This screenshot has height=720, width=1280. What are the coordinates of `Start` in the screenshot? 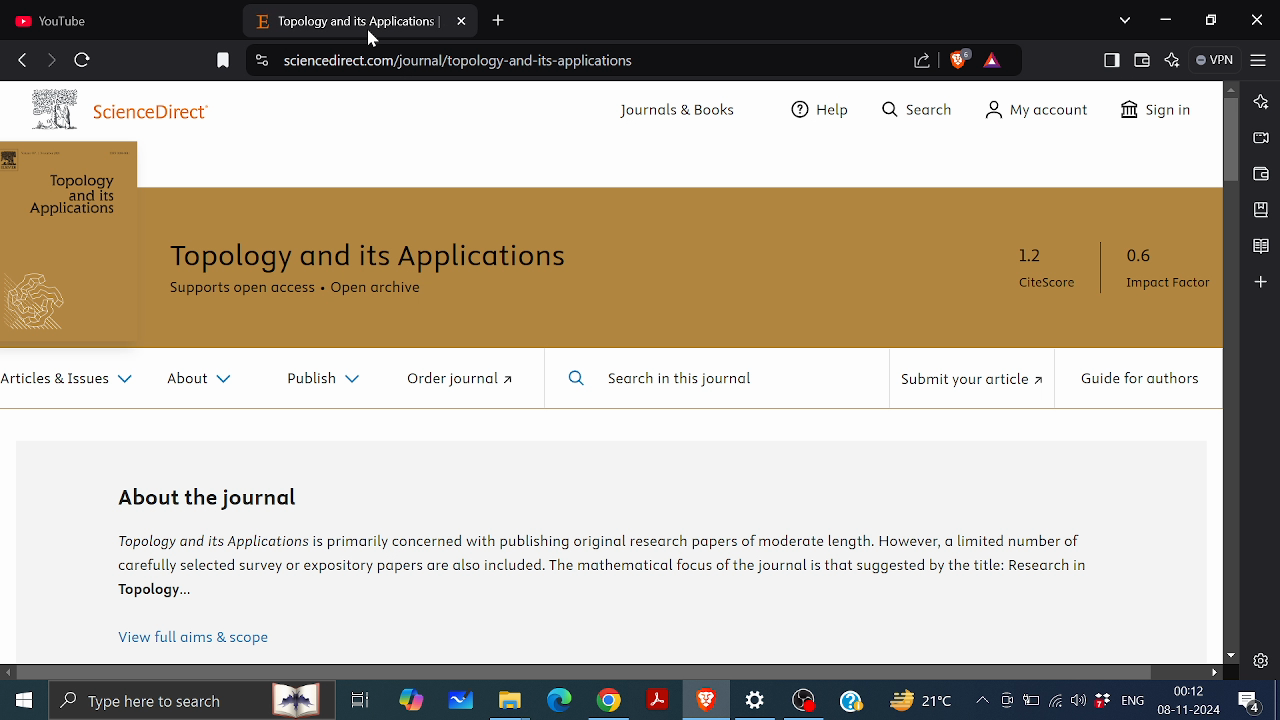 It's located at (22, 697).